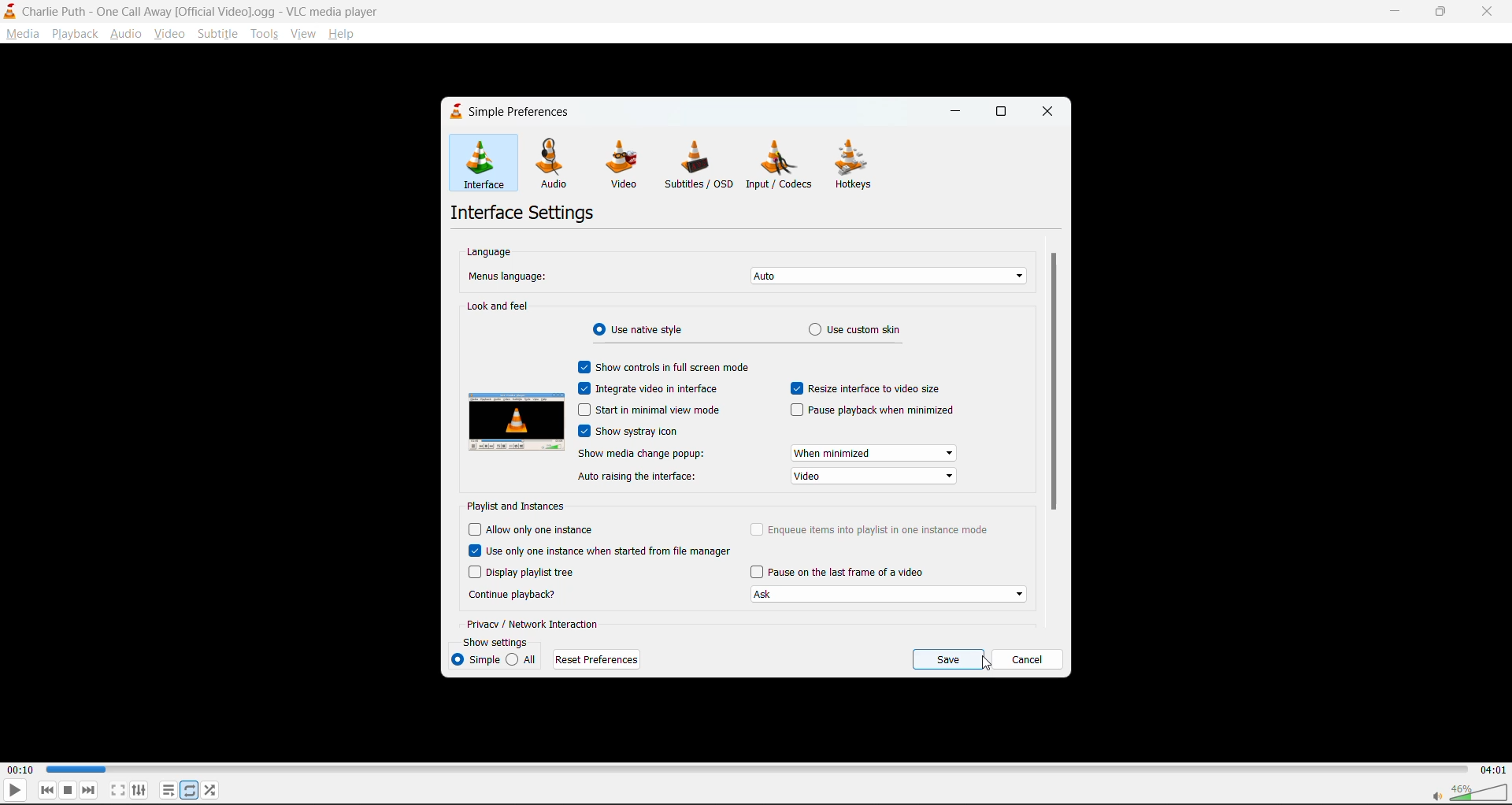  What do you see at coordinates (496, 640) in the screenshot?
I see `show settings` at bounding box center [496, 640].